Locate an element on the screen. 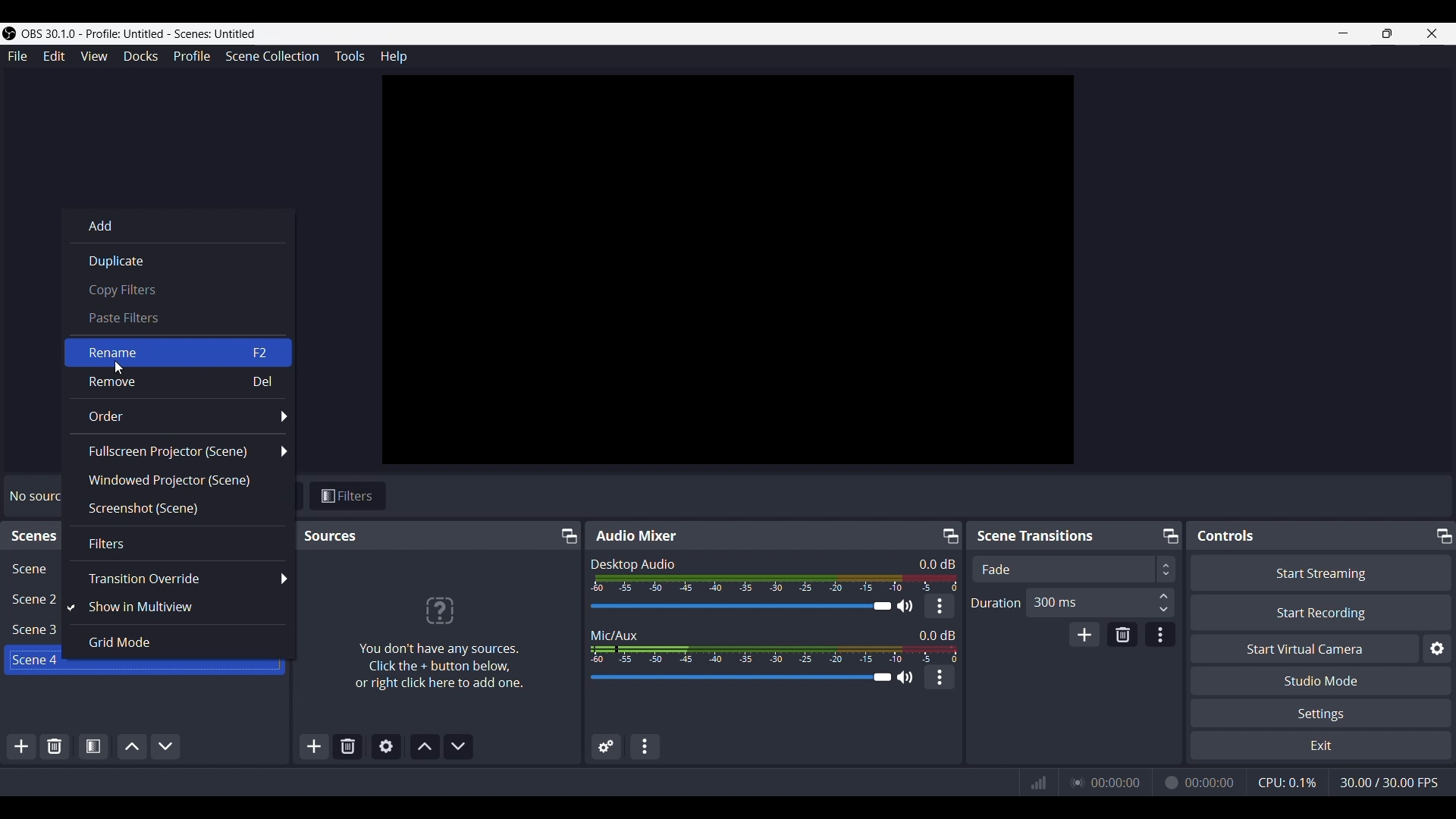  Paste filters is located at coordinates (125, 315).